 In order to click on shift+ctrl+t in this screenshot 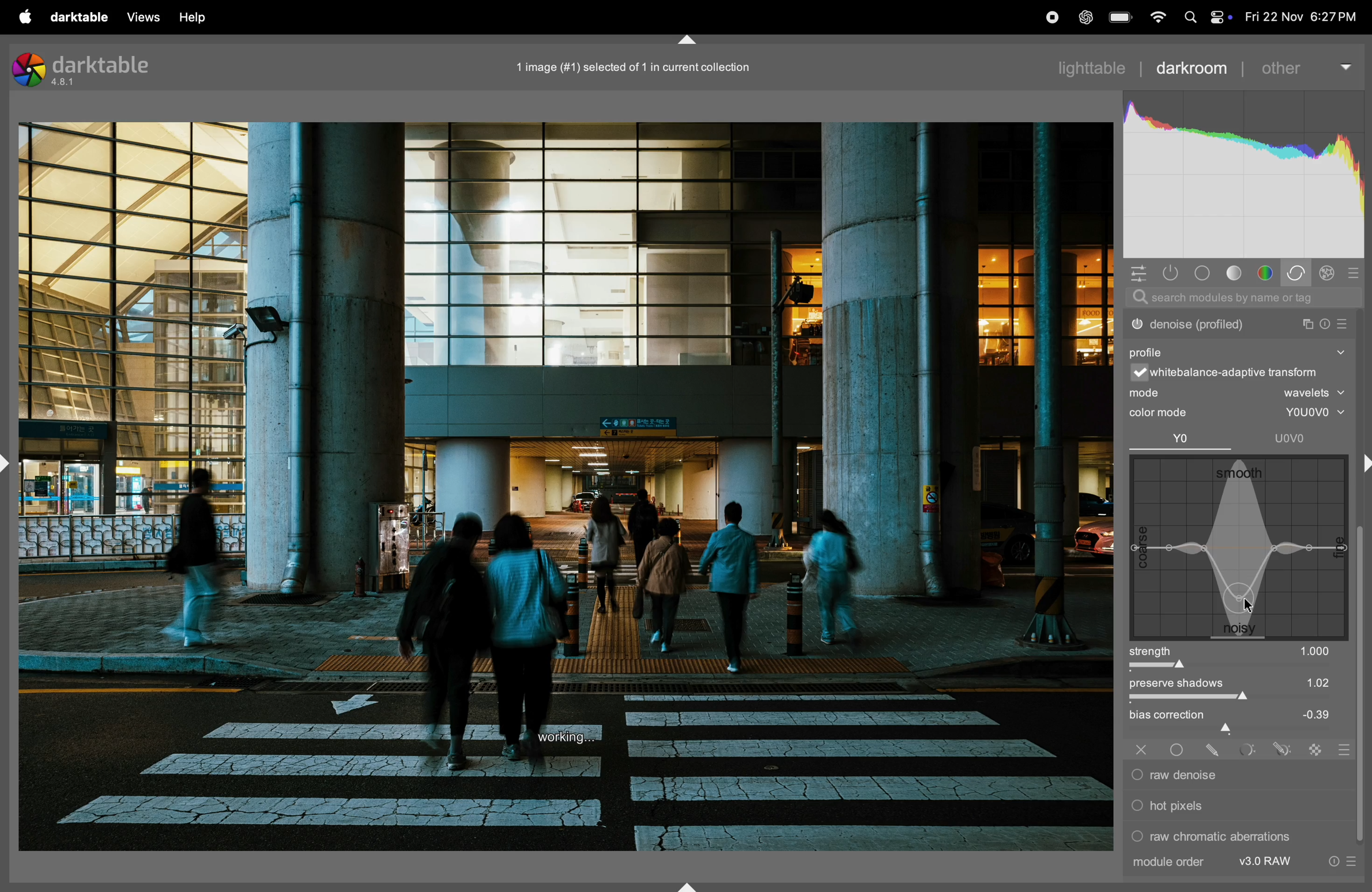, I will do `click(687, 40)`.